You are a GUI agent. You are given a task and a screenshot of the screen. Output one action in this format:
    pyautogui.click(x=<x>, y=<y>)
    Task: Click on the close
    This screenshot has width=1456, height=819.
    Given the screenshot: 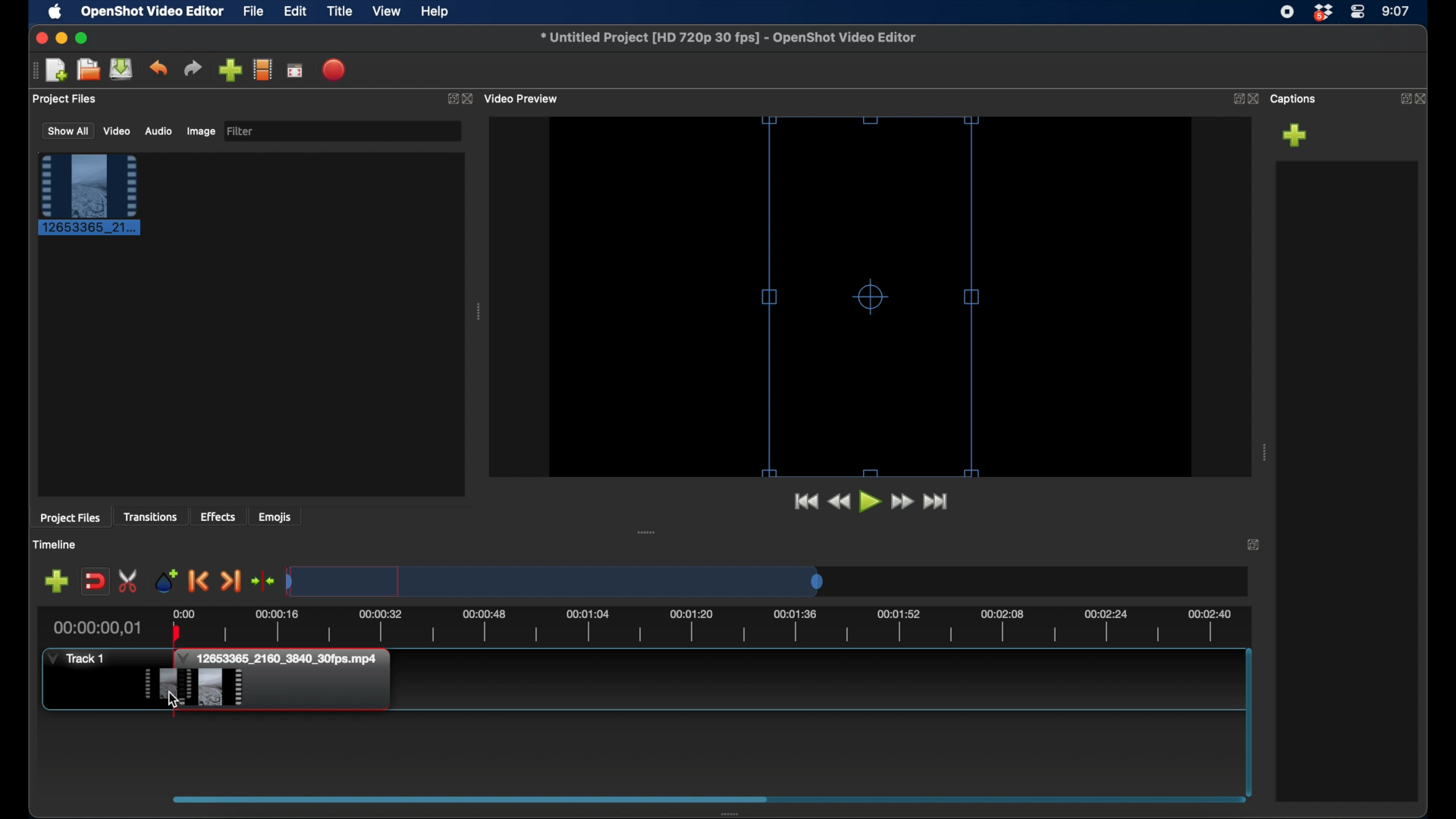 What is the action you would take?
    pyautogui.click(x=1254, y=99)
    